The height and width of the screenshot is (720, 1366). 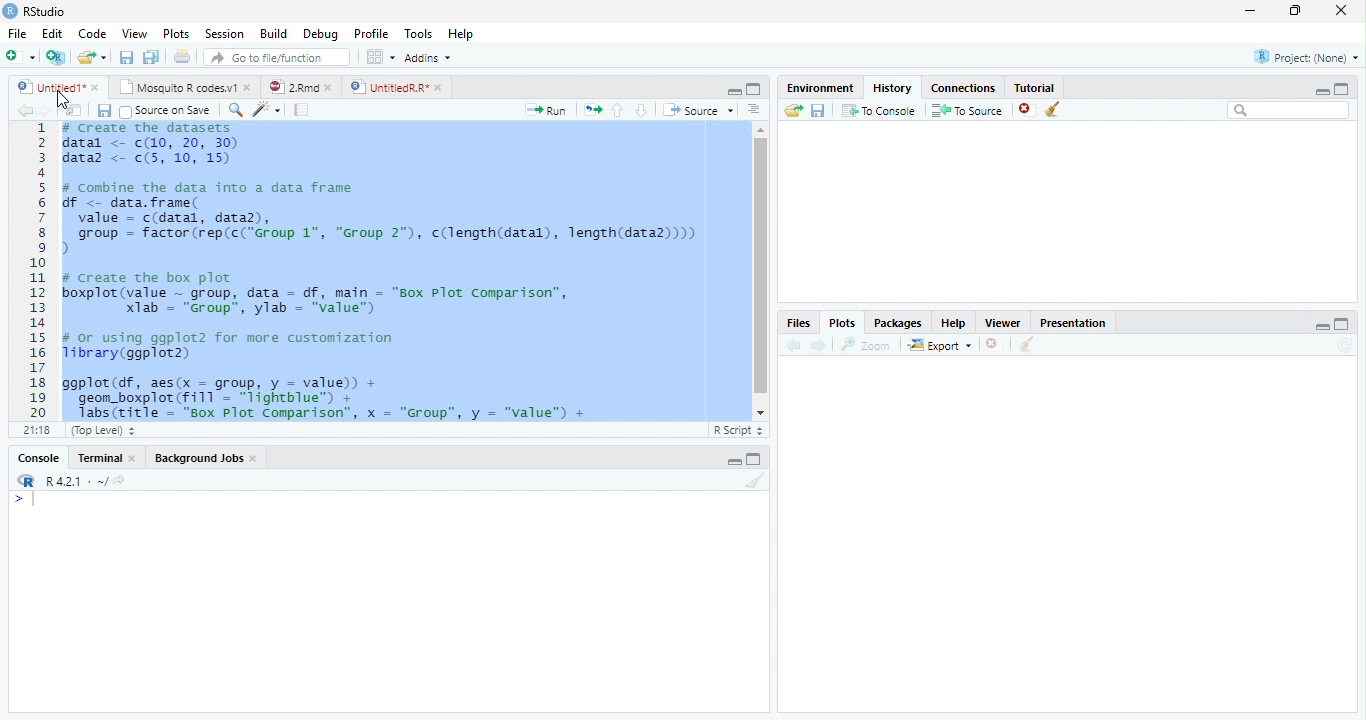 What do you see at coordinates (617, 110) in the screenshot?
I see `Go to previous section/chunk` at bounding box center [617, 110].